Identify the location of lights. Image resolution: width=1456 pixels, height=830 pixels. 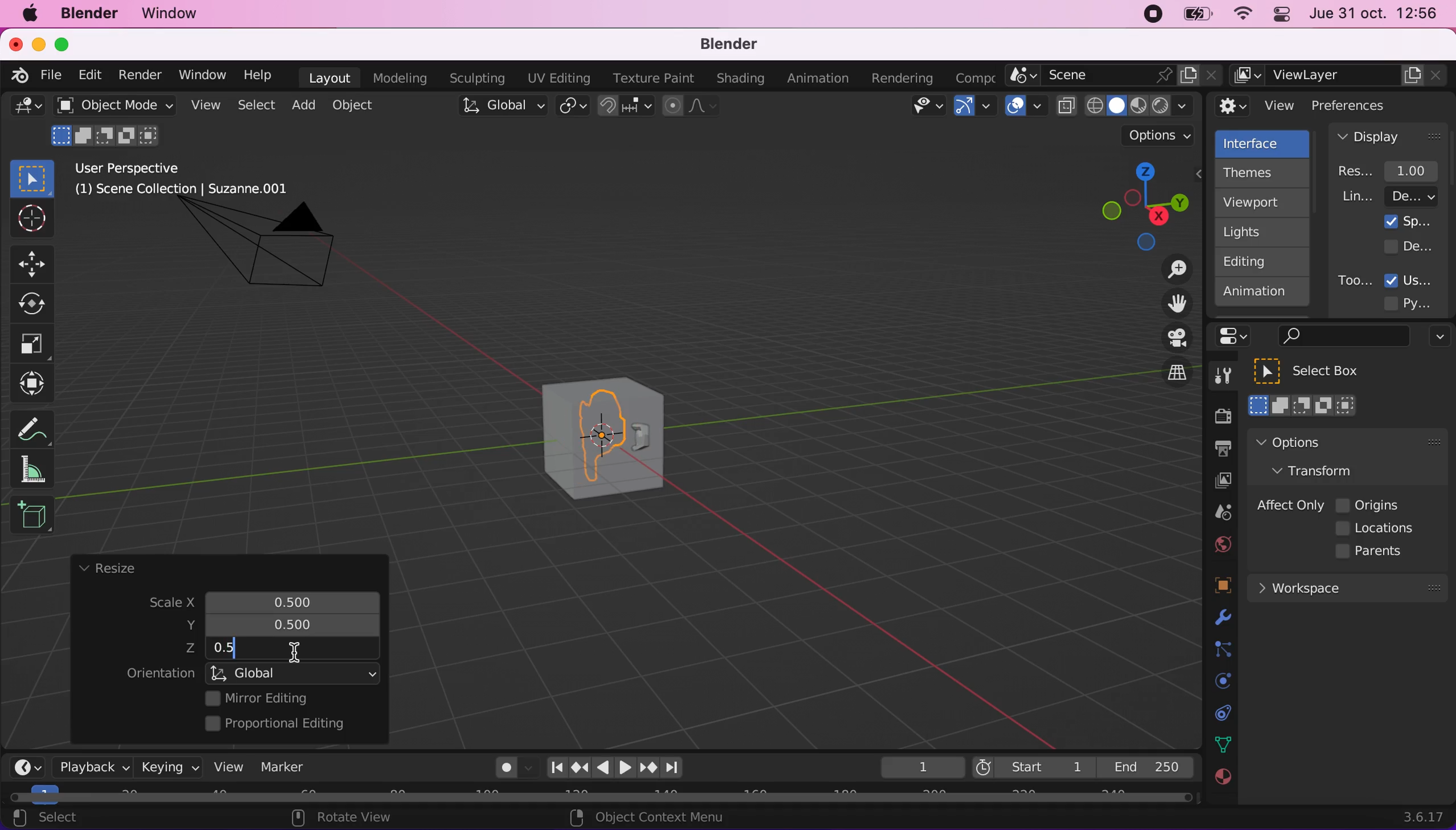
(1265, 233).